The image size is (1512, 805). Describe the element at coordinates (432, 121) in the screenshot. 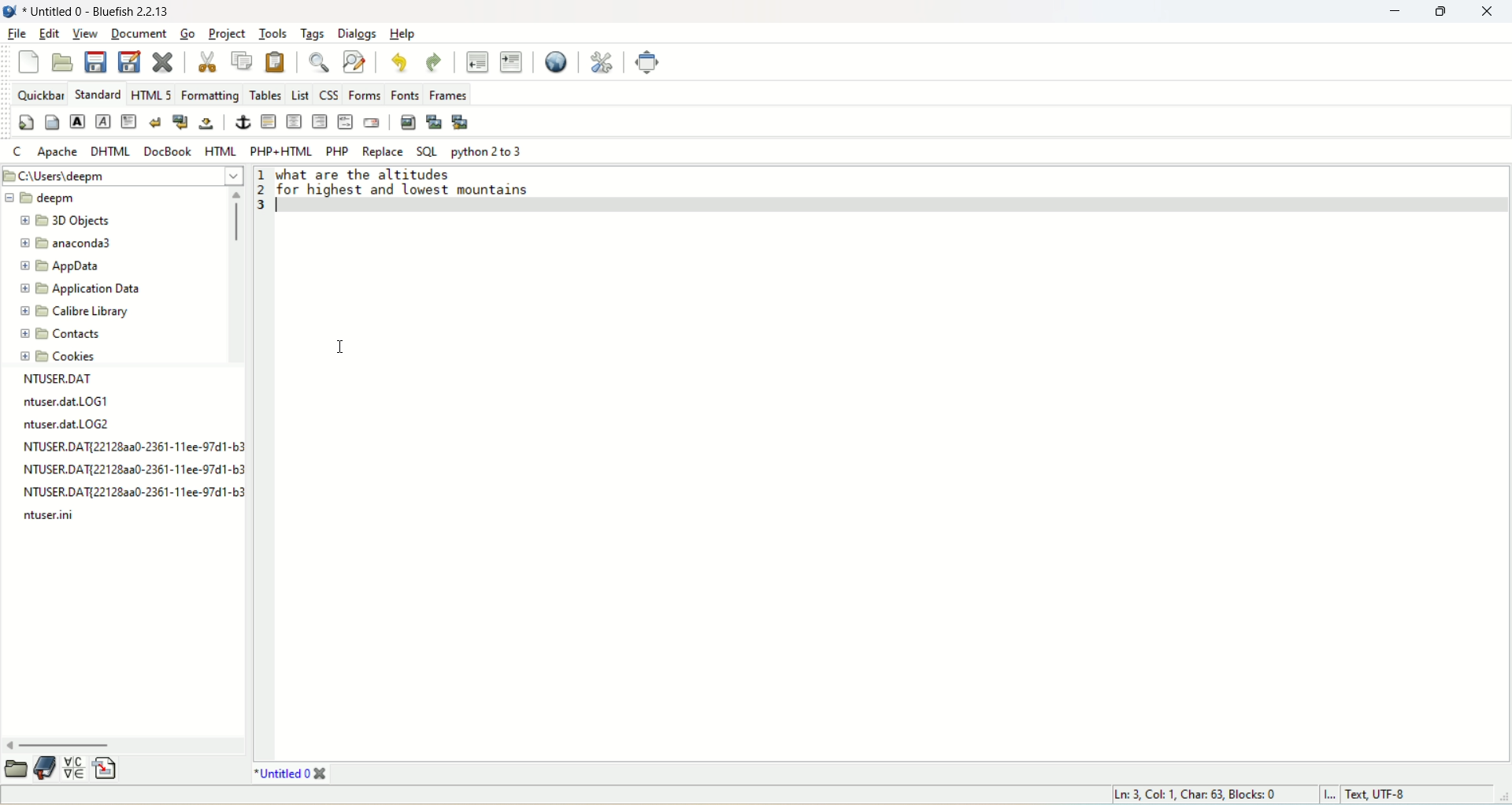

I see `insert thumbnail` at that location.